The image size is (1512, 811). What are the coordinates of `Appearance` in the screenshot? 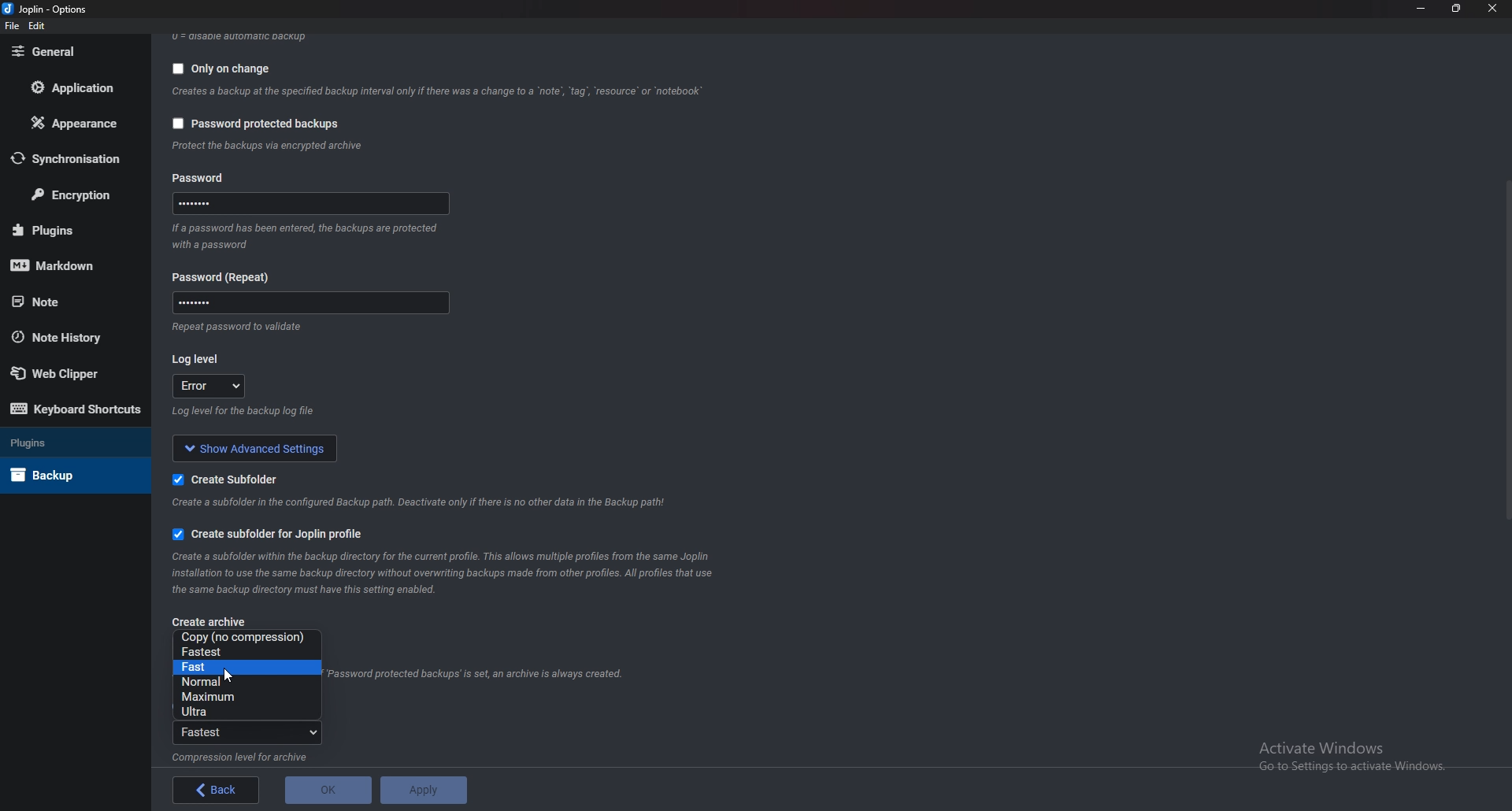 It's located at (74, 124).